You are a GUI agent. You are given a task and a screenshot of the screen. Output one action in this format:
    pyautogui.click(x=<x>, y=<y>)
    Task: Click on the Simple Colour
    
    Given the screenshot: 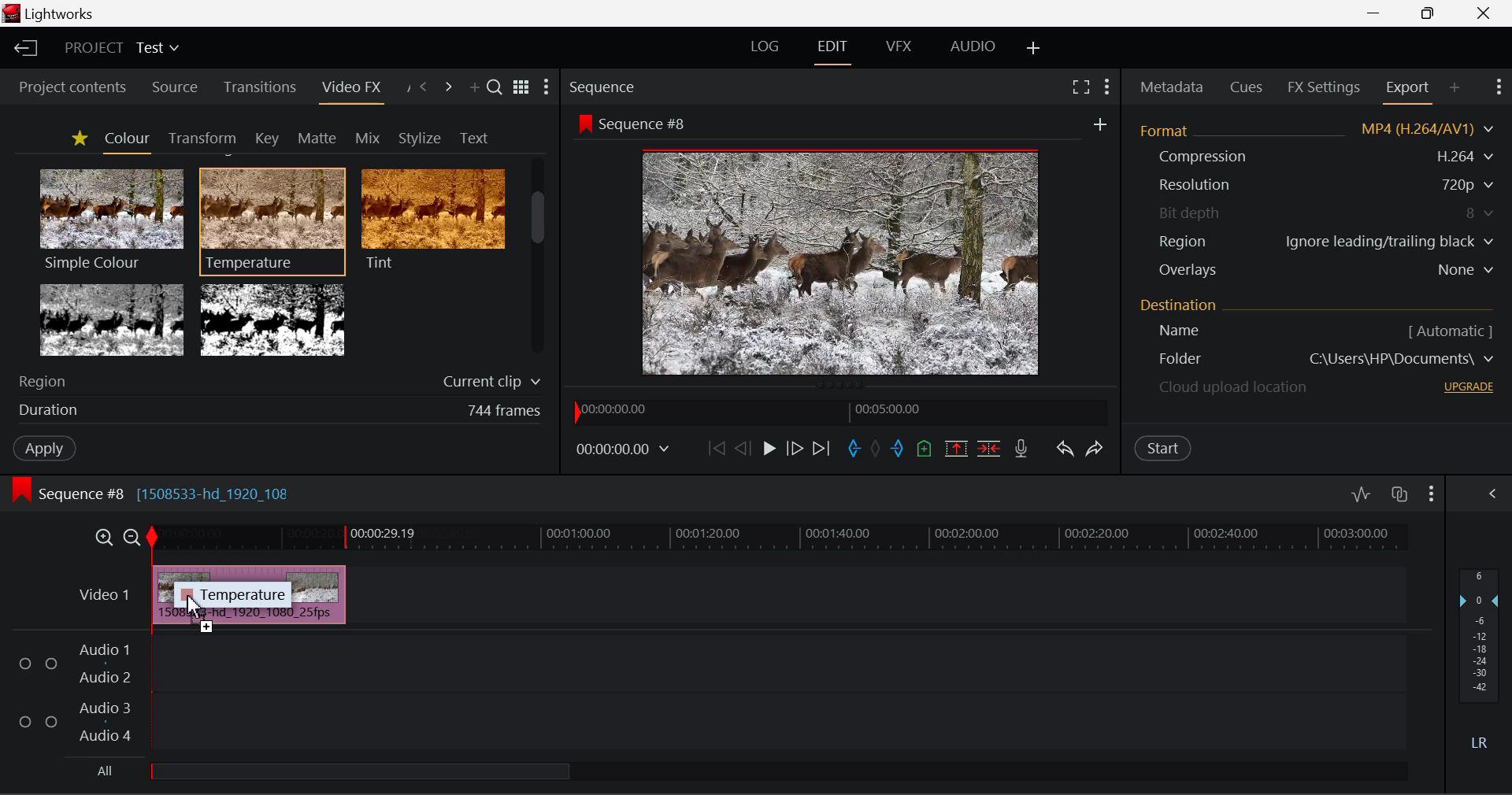 What is the action you would take?
    pyautogui.click(x=110, y=219)
    